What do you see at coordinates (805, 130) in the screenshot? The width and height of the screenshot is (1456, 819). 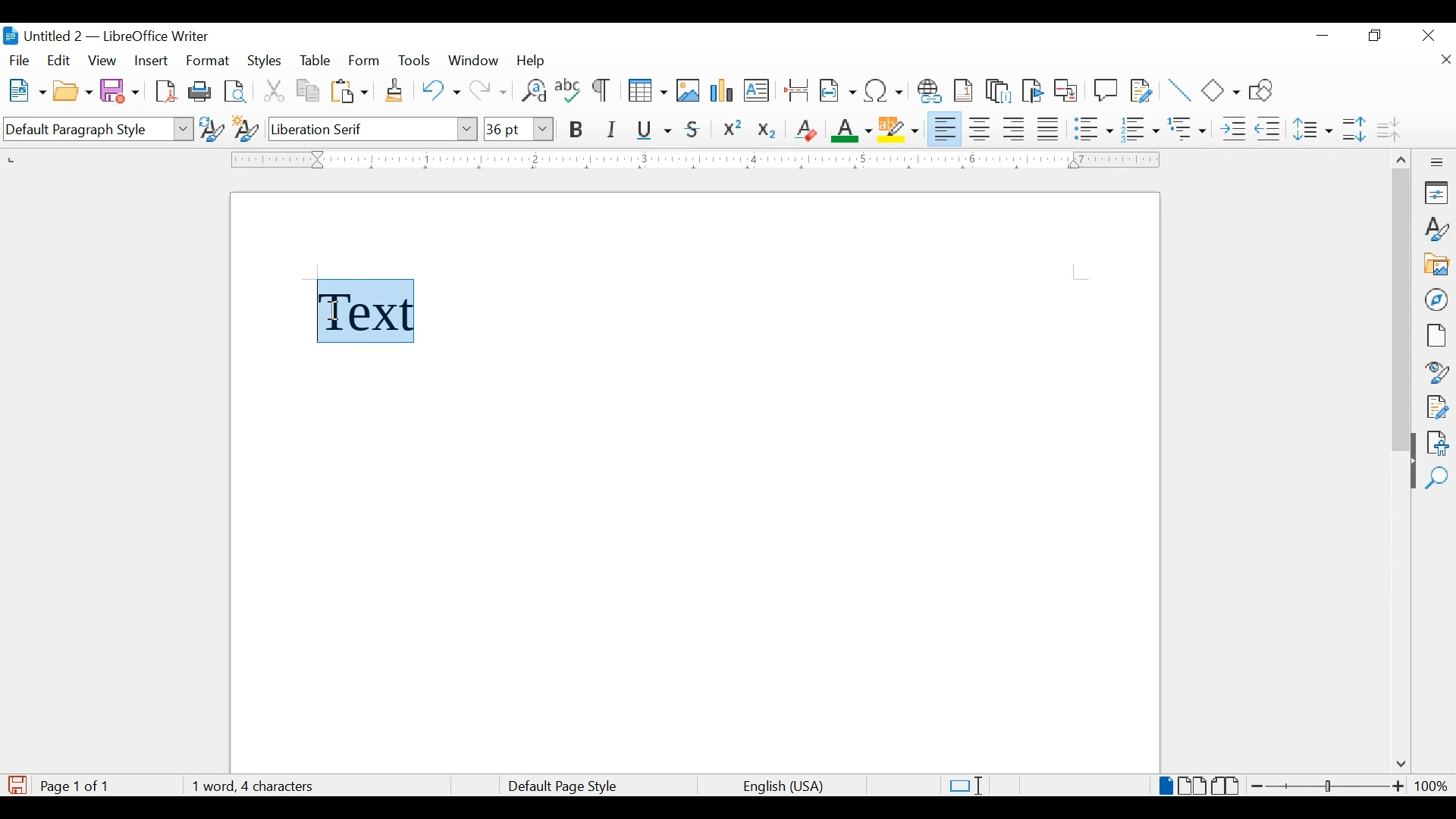 I see `clear direct formatting` at bounding box center [805, 130].